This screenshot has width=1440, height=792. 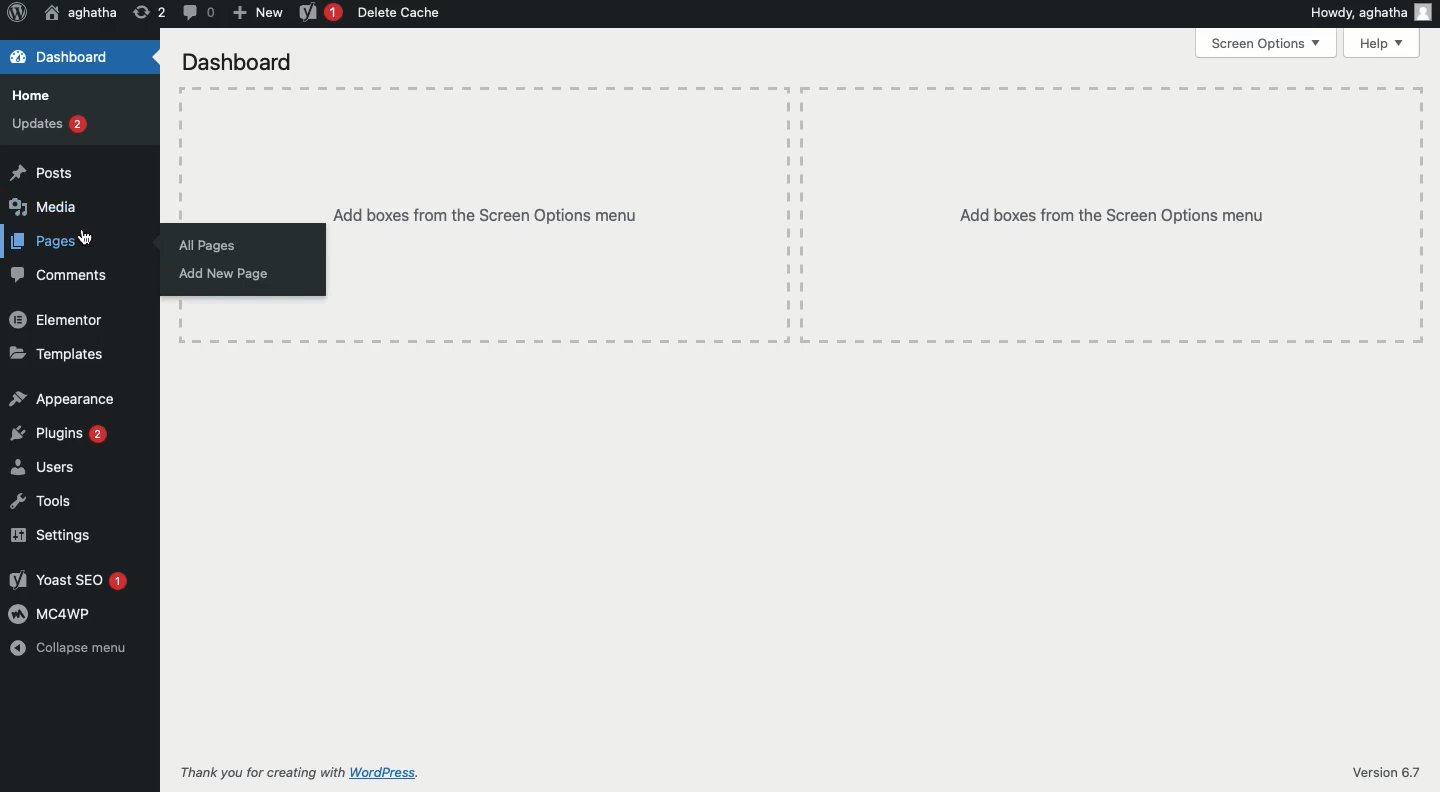 I want to click on All pages, so click(x=206, y=246).